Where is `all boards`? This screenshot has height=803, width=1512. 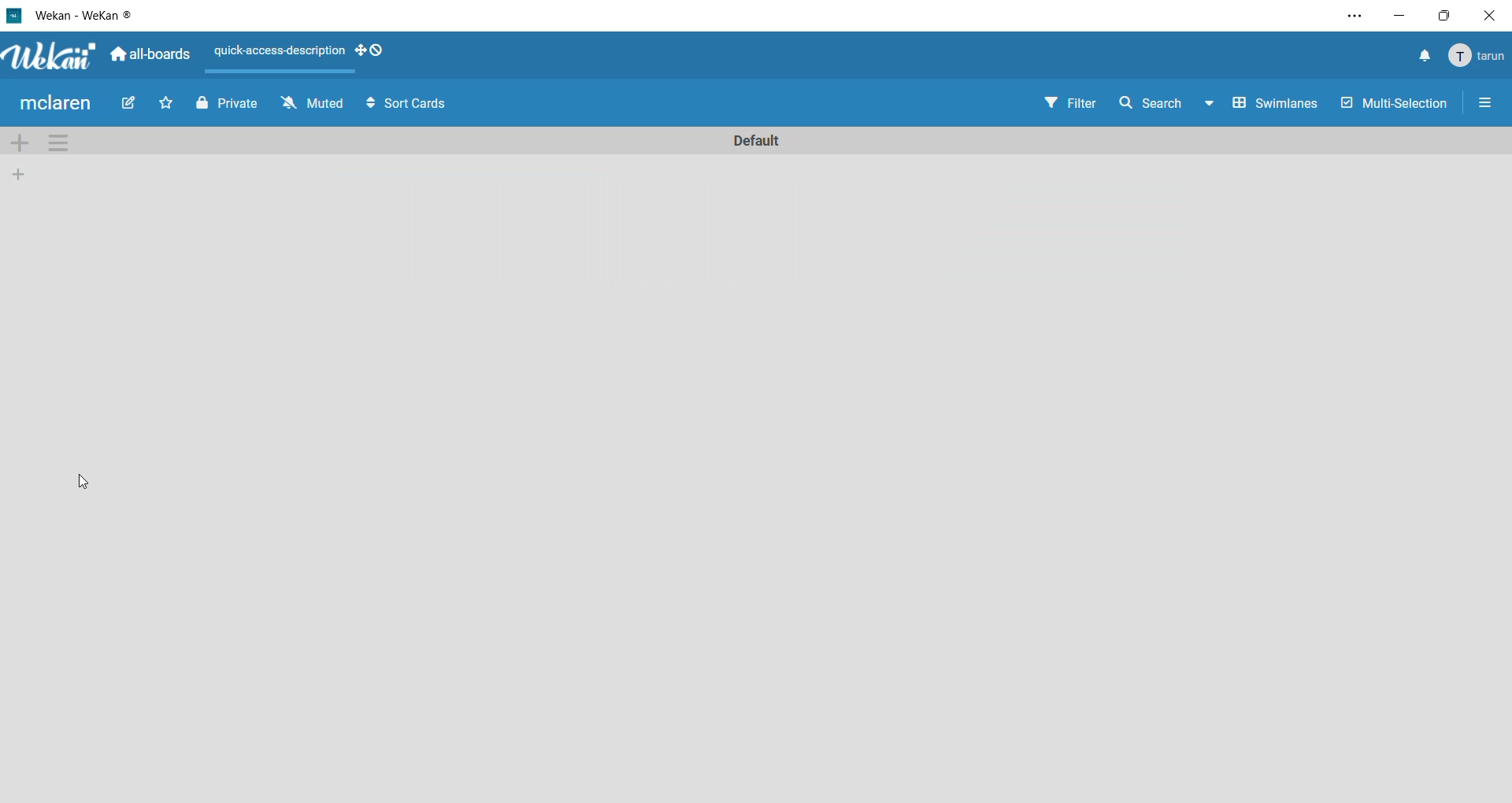 all boards is located at coordinates (154, 55).